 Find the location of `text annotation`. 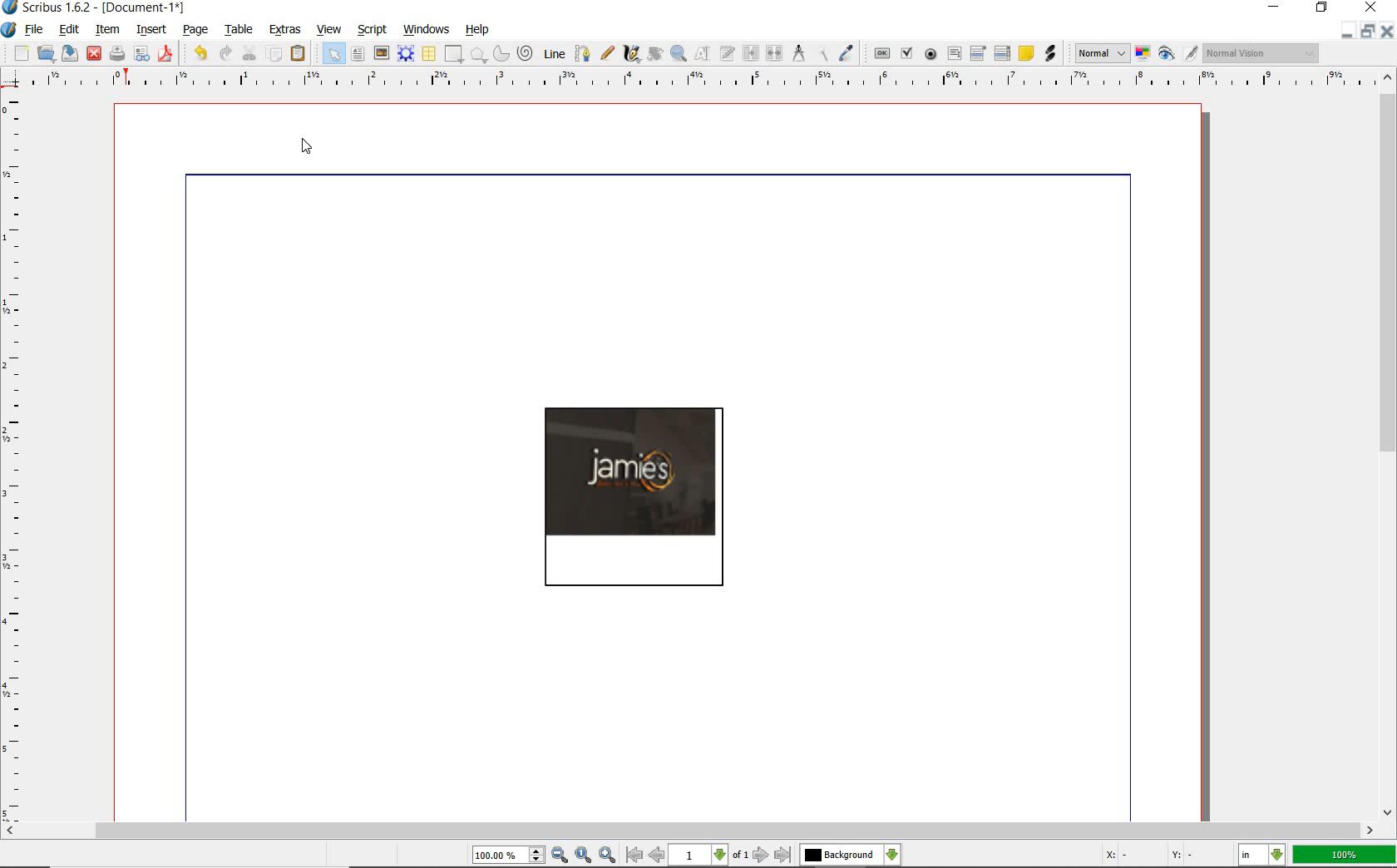

text annotation is located at coordinates (1026, 54).